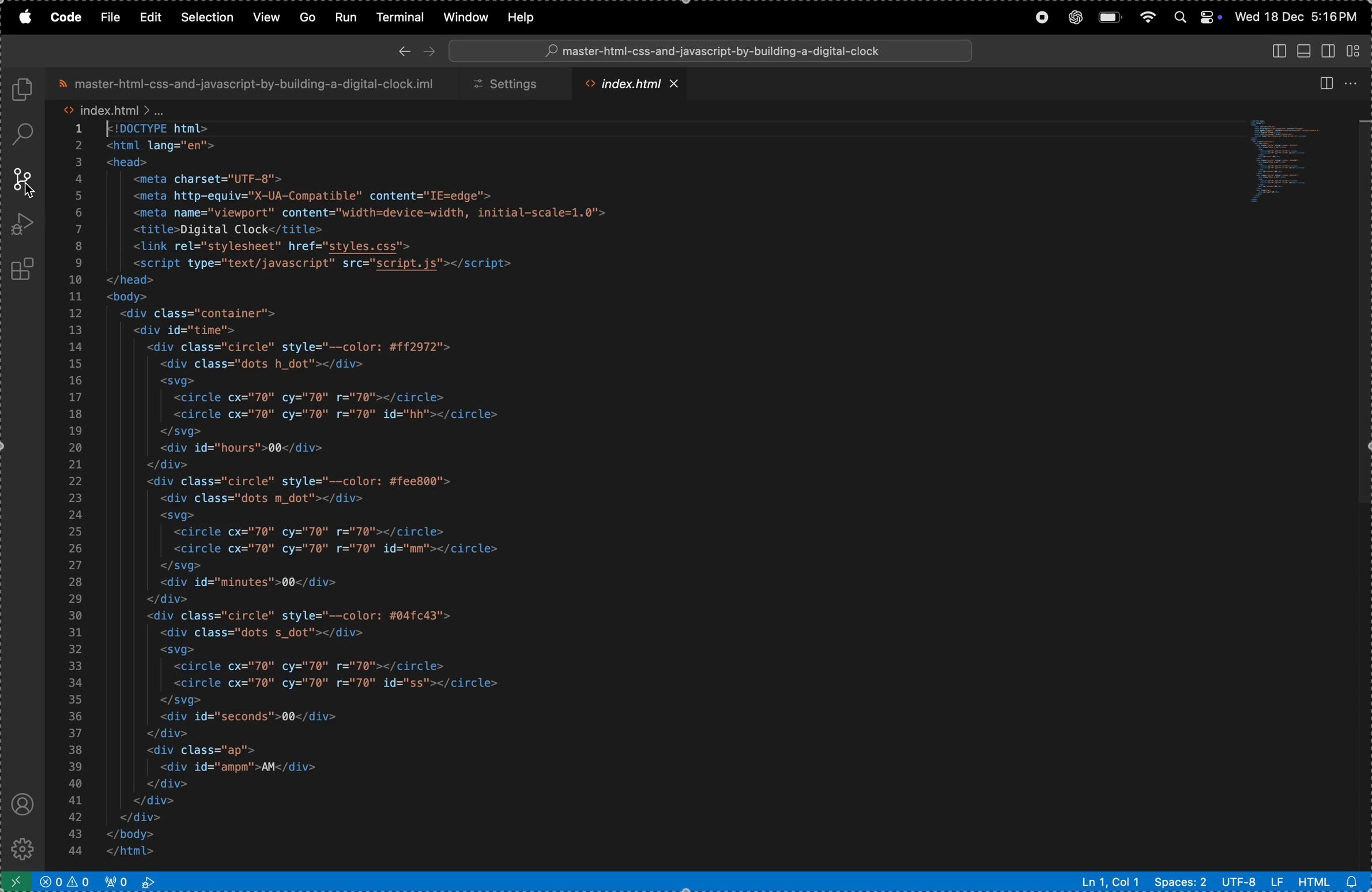 The width and height of the screenshot is (1372, 892). I want to click on html alert, so click(1325, 880).